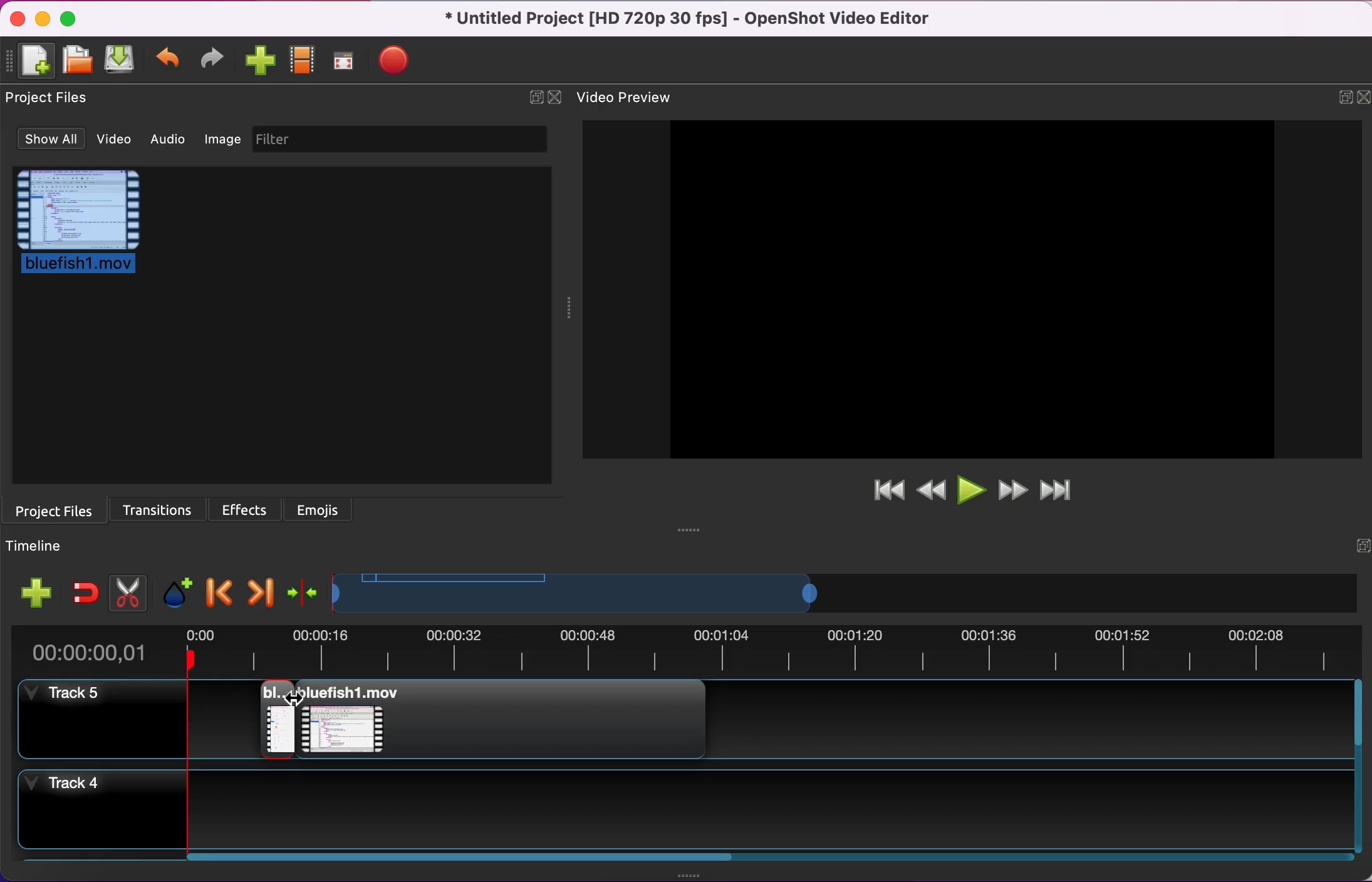  Describe the element at coordinates (83, 588) in the screenshot. I see `enable snapping` at that location.